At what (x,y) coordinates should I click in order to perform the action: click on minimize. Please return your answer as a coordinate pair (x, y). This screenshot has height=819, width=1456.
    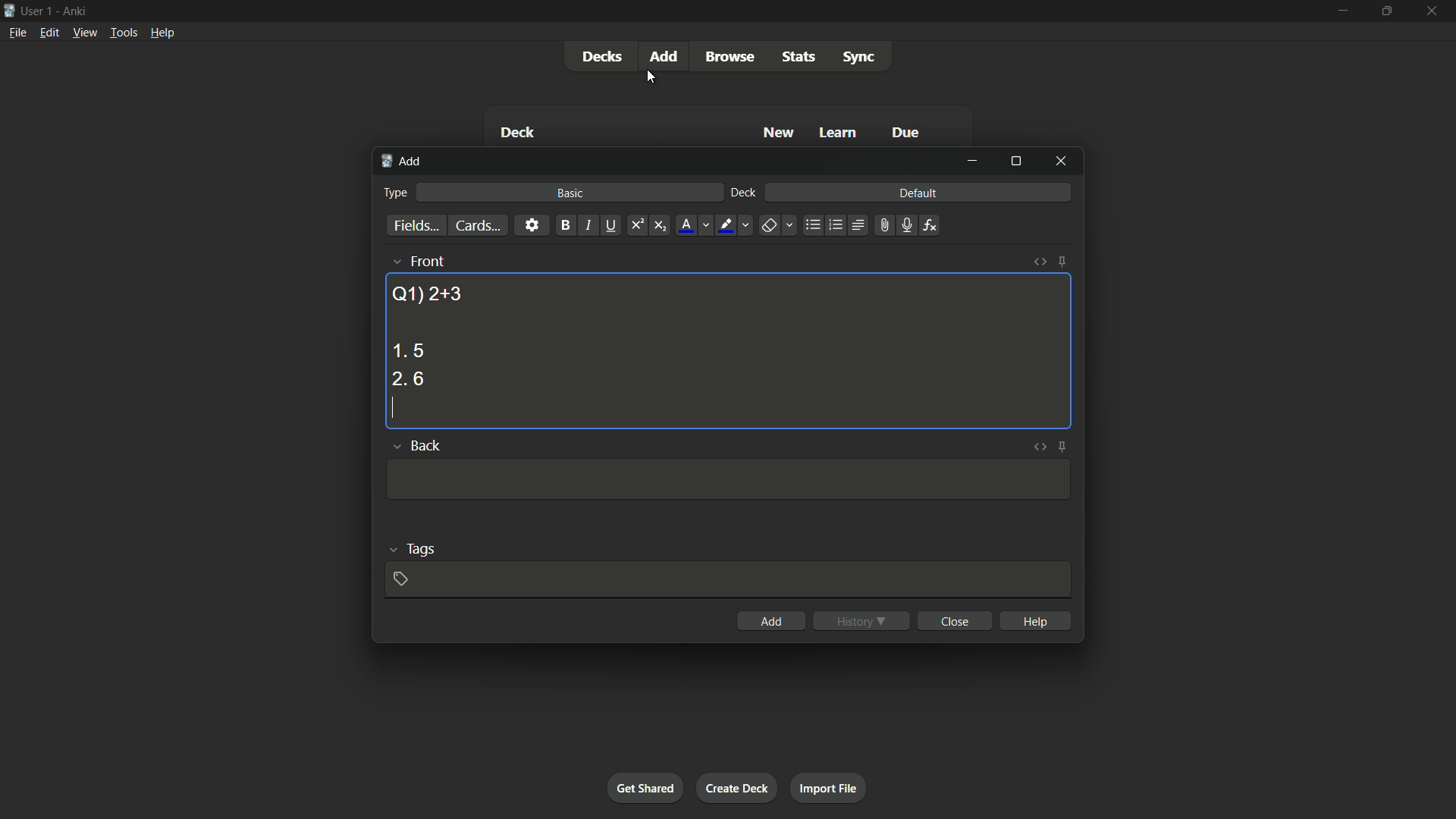
    Looking at the image, I should click on (1341, 10).